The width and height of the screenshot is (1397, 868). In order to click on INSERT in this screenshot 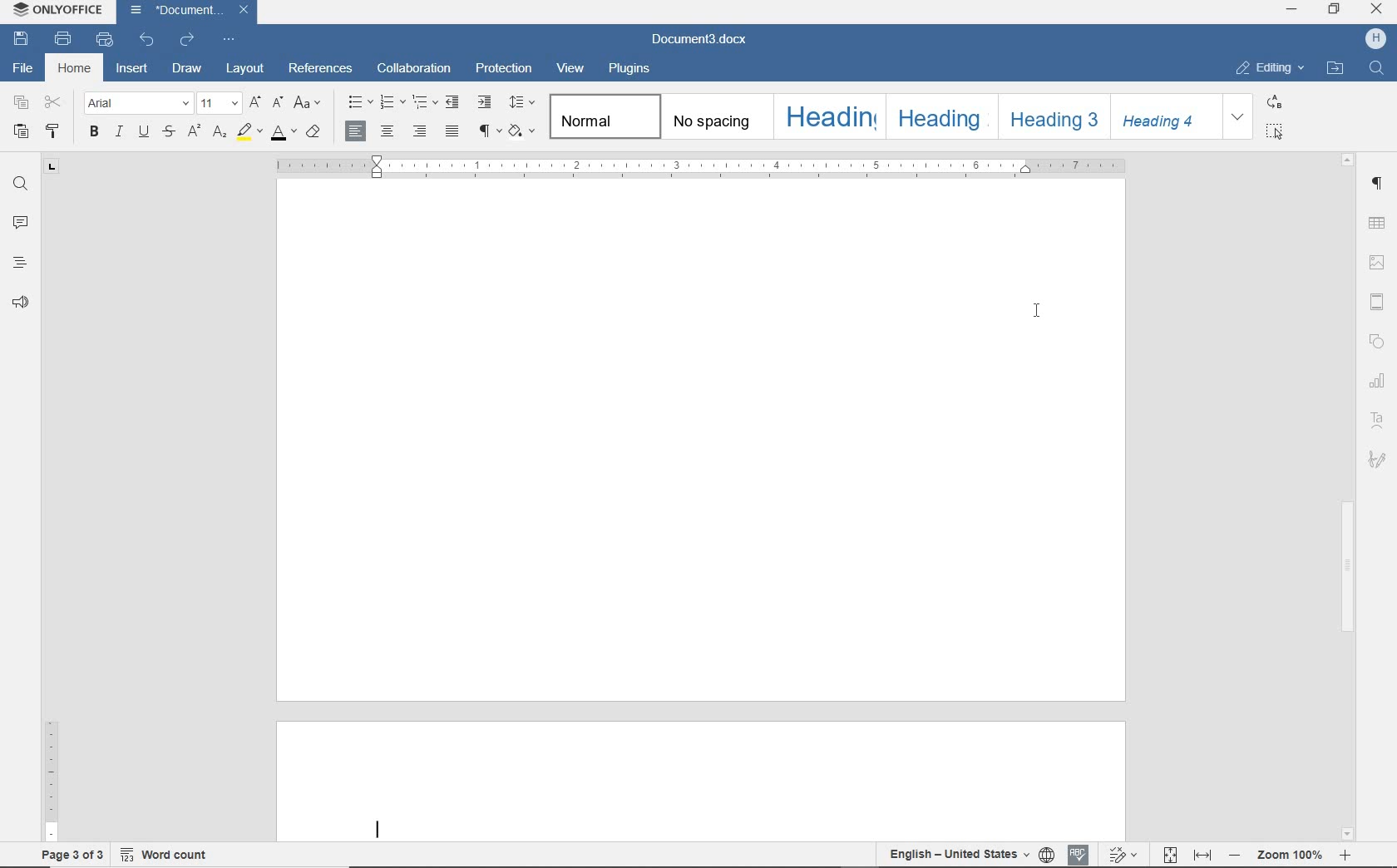, I will do `click(133, 71)`.